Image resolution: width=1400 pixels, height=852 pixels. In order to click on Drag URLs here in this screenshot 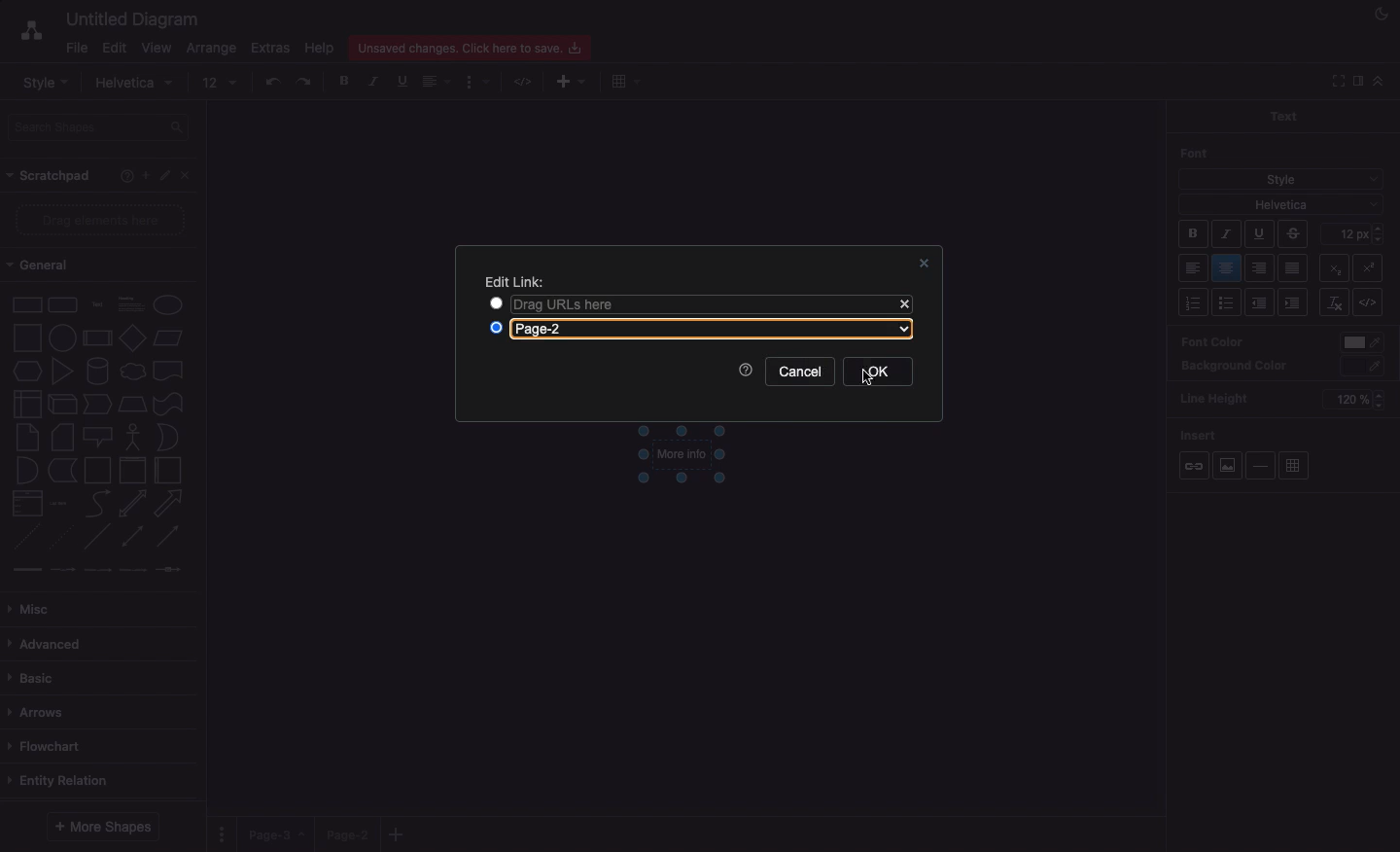, I will do `click(695, 303)`.